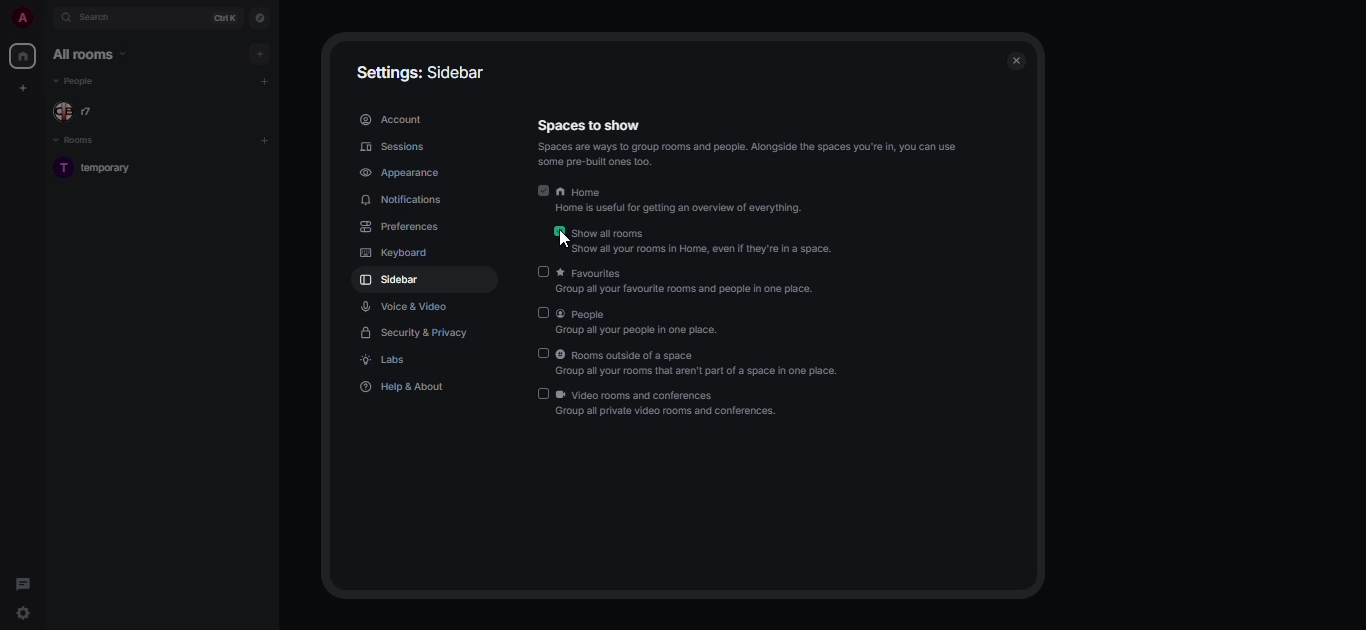 This screenshot has width=1366, height=630. I want to click on disabled, so click(542, 271).